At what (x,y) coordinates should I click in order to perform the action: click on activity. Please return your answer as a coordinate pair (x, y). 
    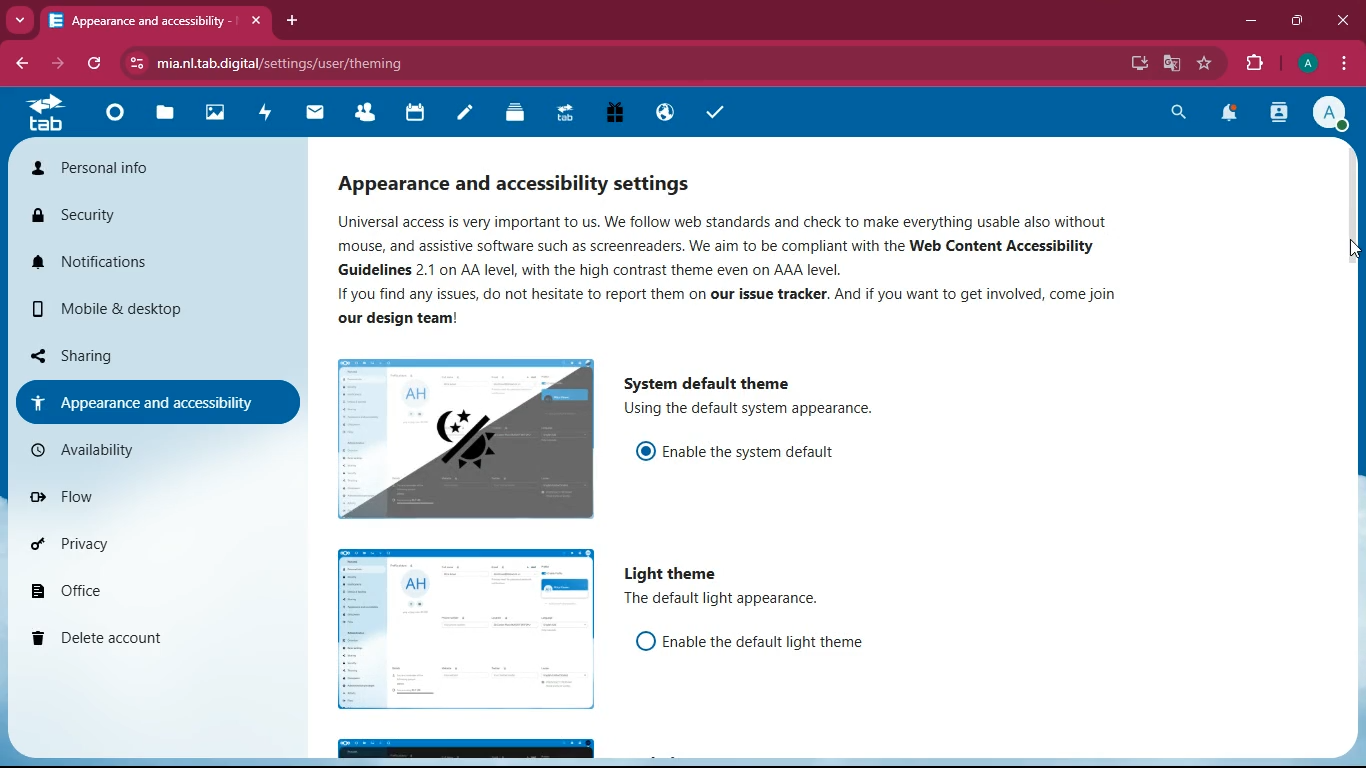
    Looking at the image, I should click on (1277, 115).